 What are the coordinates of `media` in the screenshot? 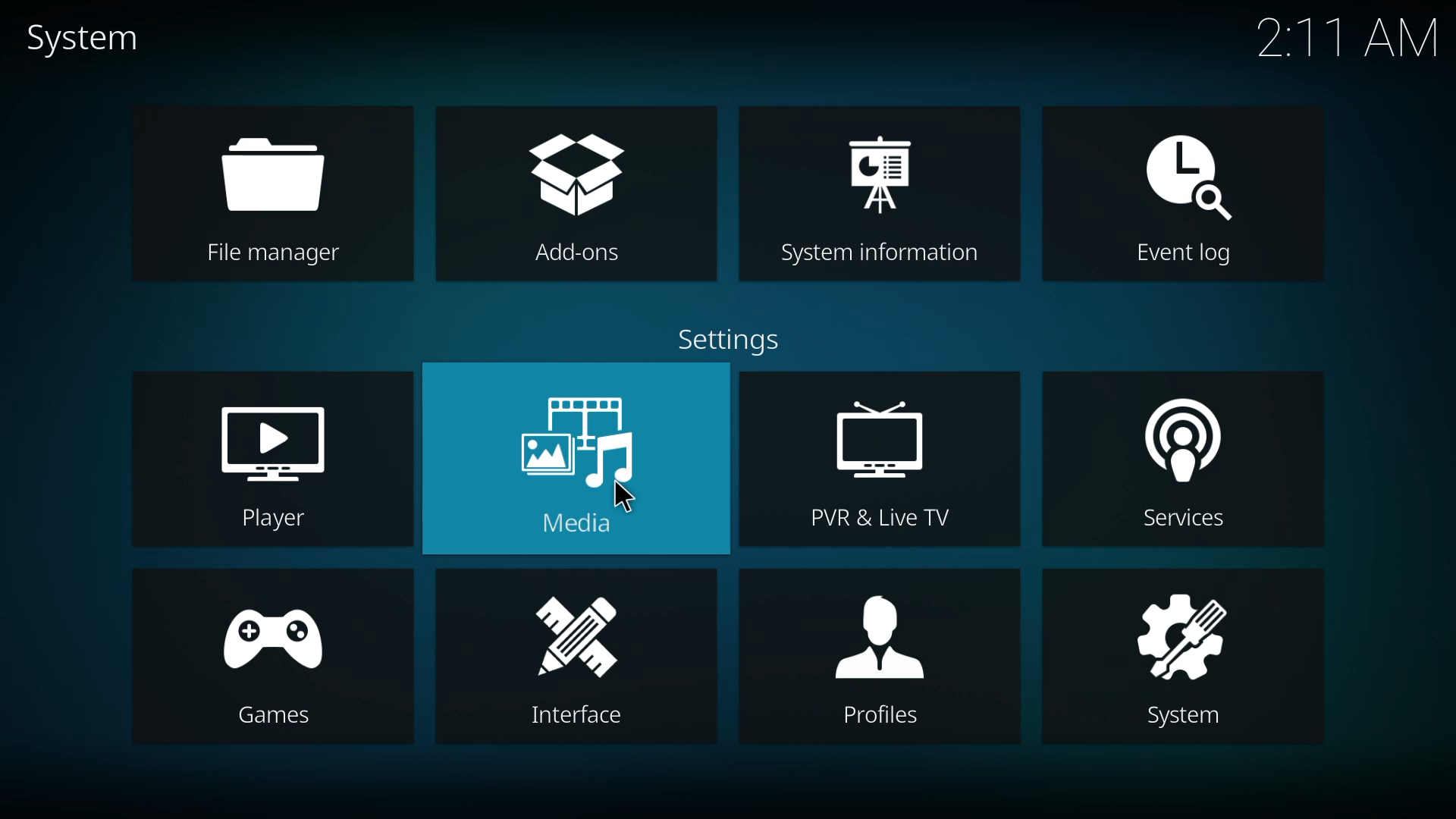 It's located at (584, 460).